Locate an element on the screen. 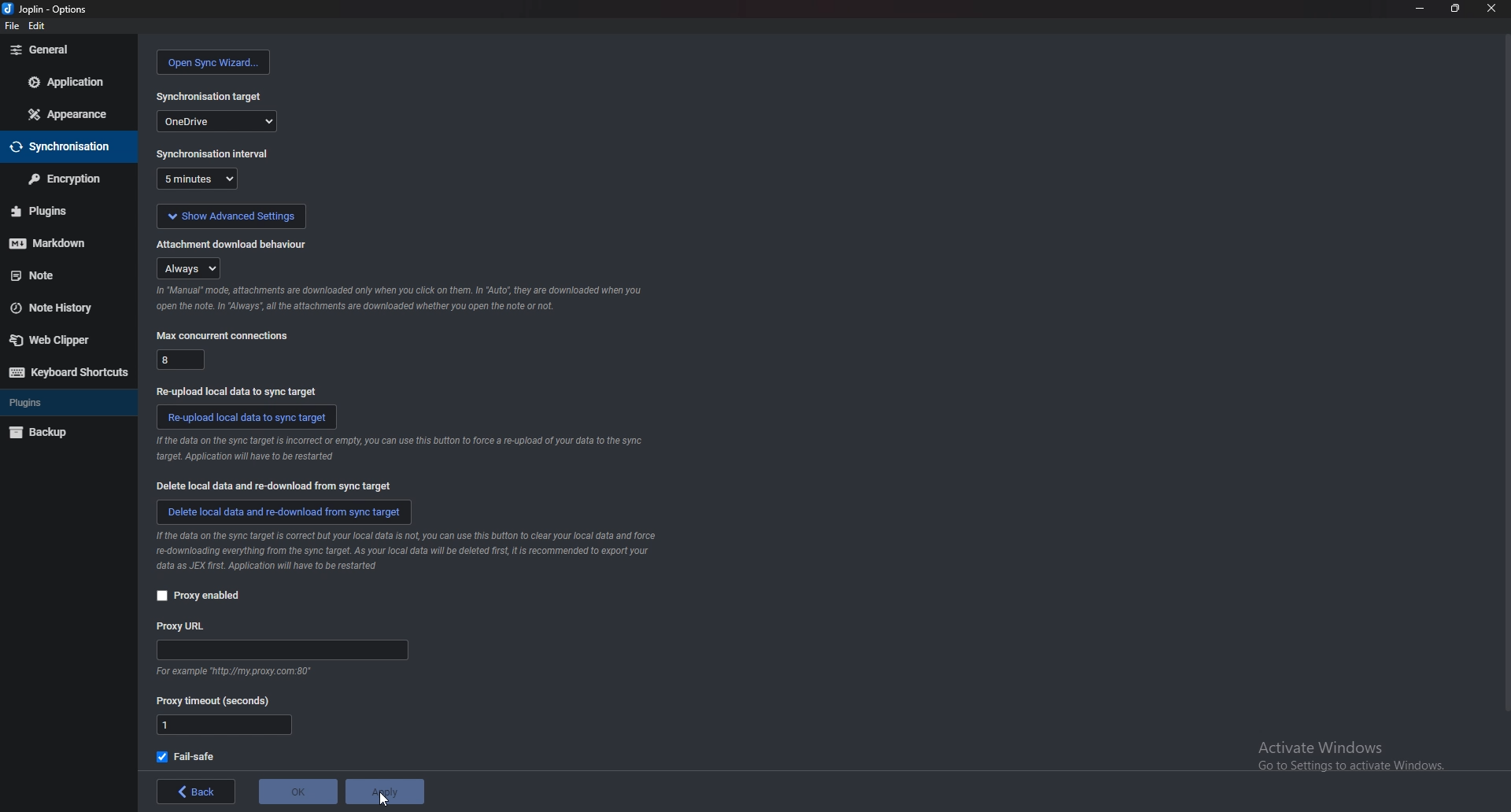  delete local data is located at coordinates (270, 485).